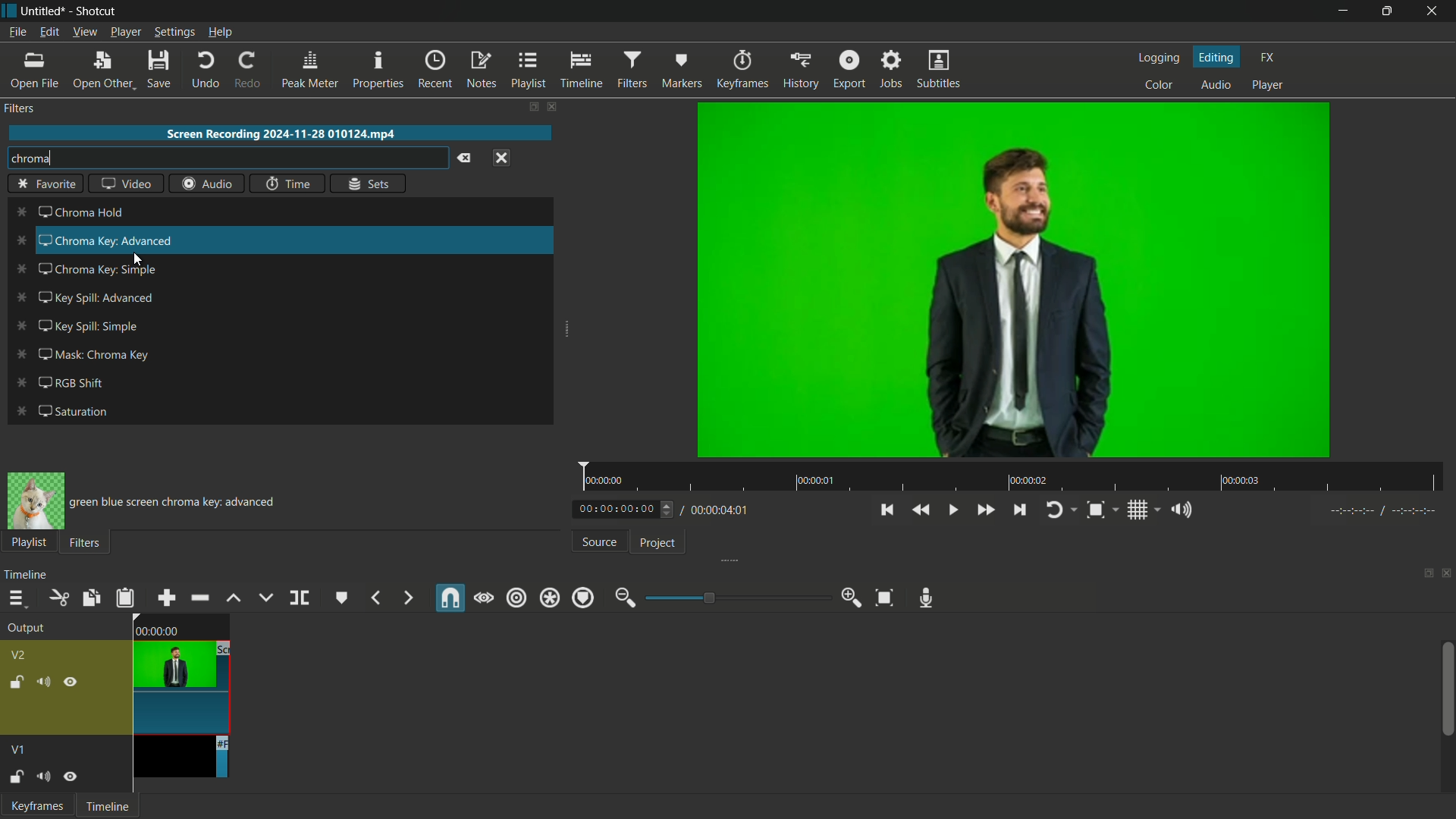 This screenshot has width=1456, height=819. Describe the element at coordinates (883, 598) in the screenshot. I see `zoom timeline to fit` at that location.